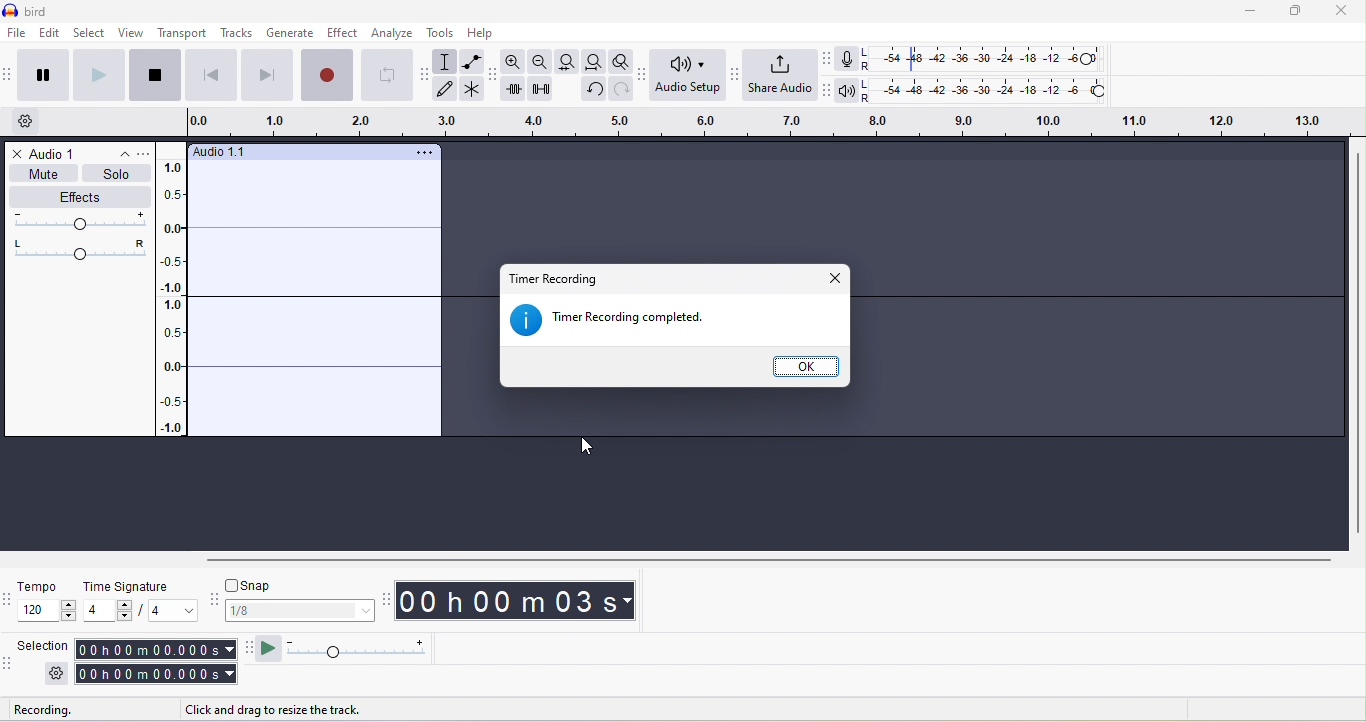  I want to click on click and drag to define a looping region, so click(759, 124).